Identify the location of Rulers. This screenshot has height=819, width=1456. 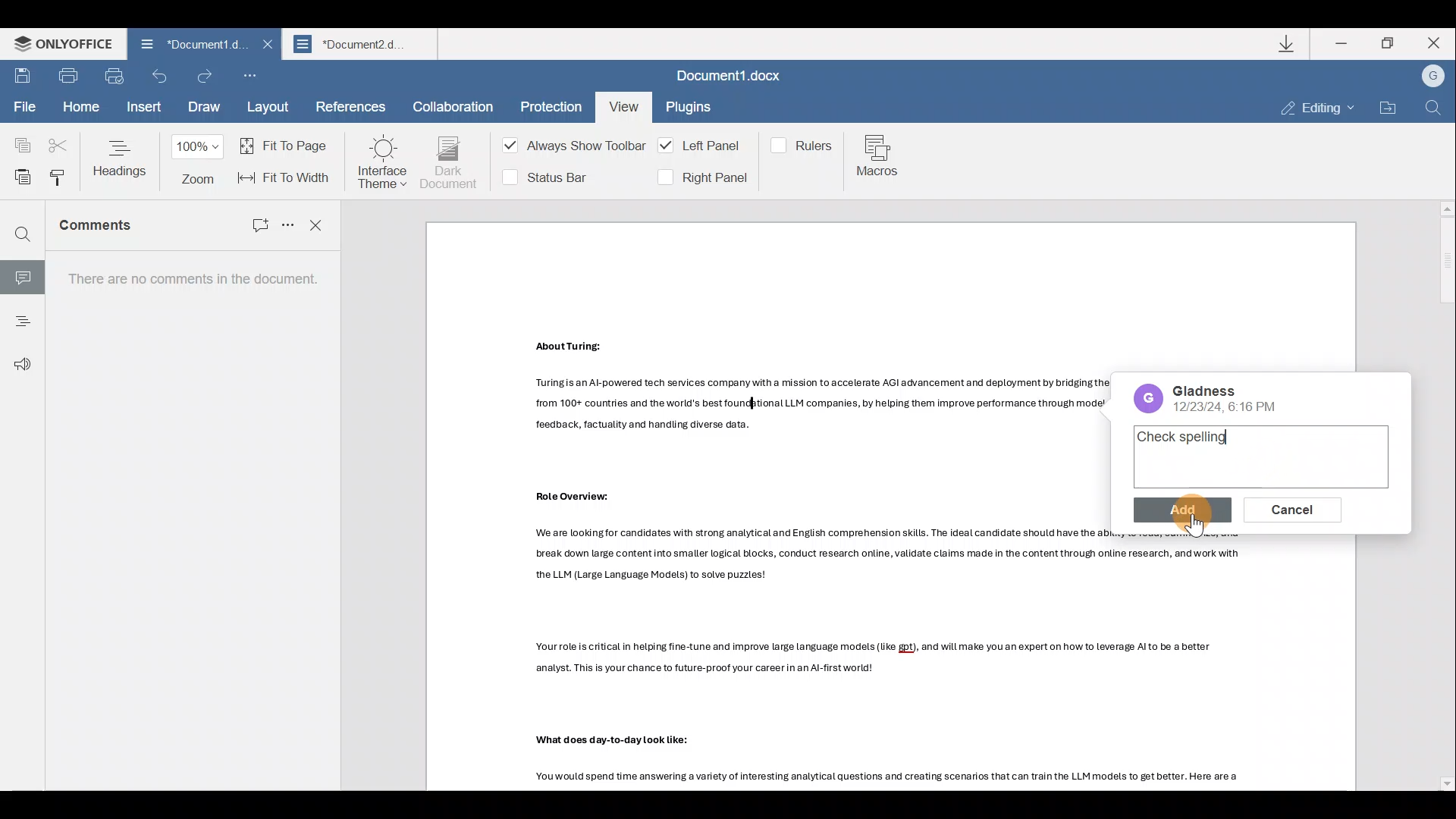
(805, 144).